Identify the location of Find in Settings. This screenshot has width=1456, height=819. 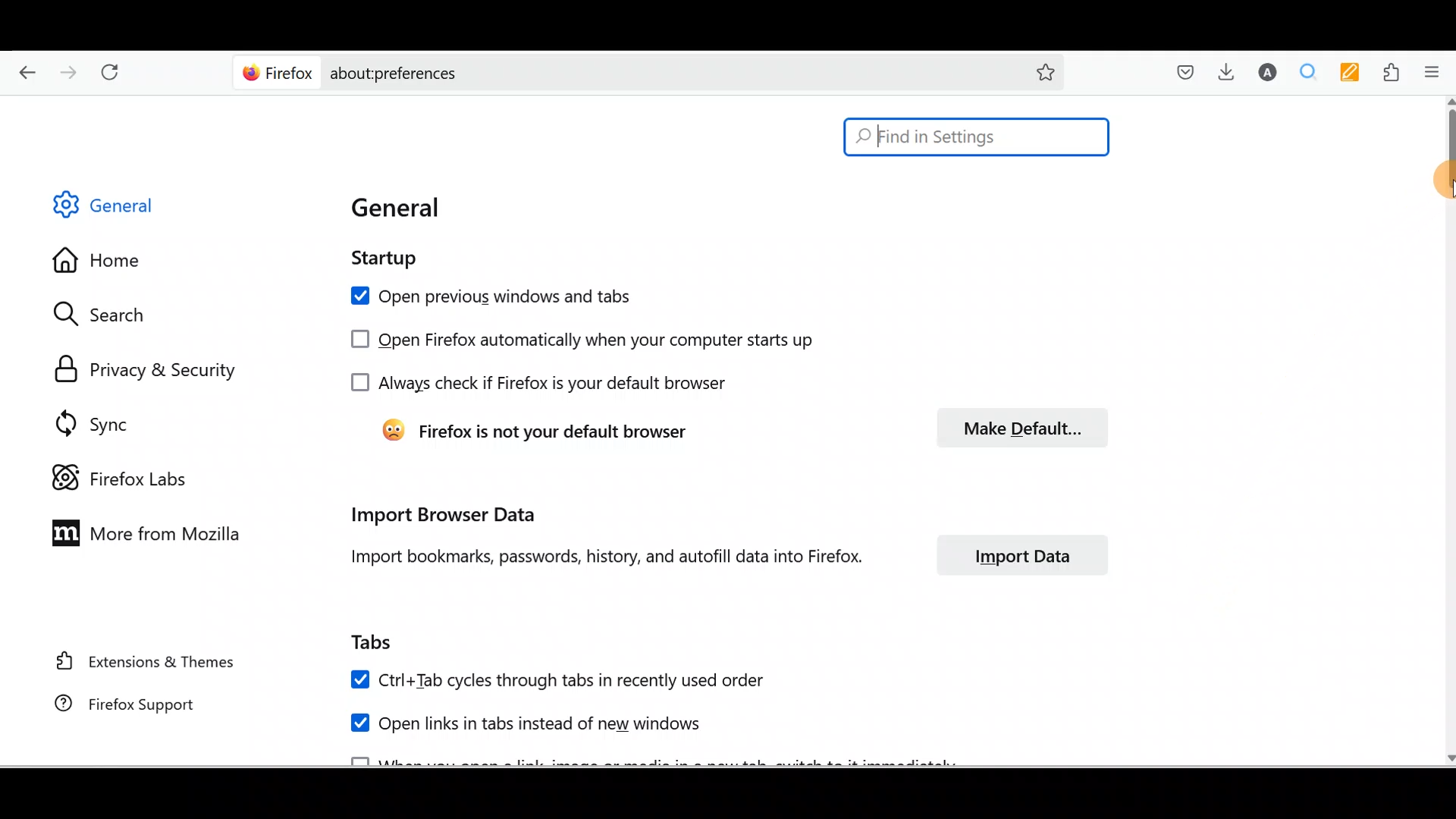
(983, 137).